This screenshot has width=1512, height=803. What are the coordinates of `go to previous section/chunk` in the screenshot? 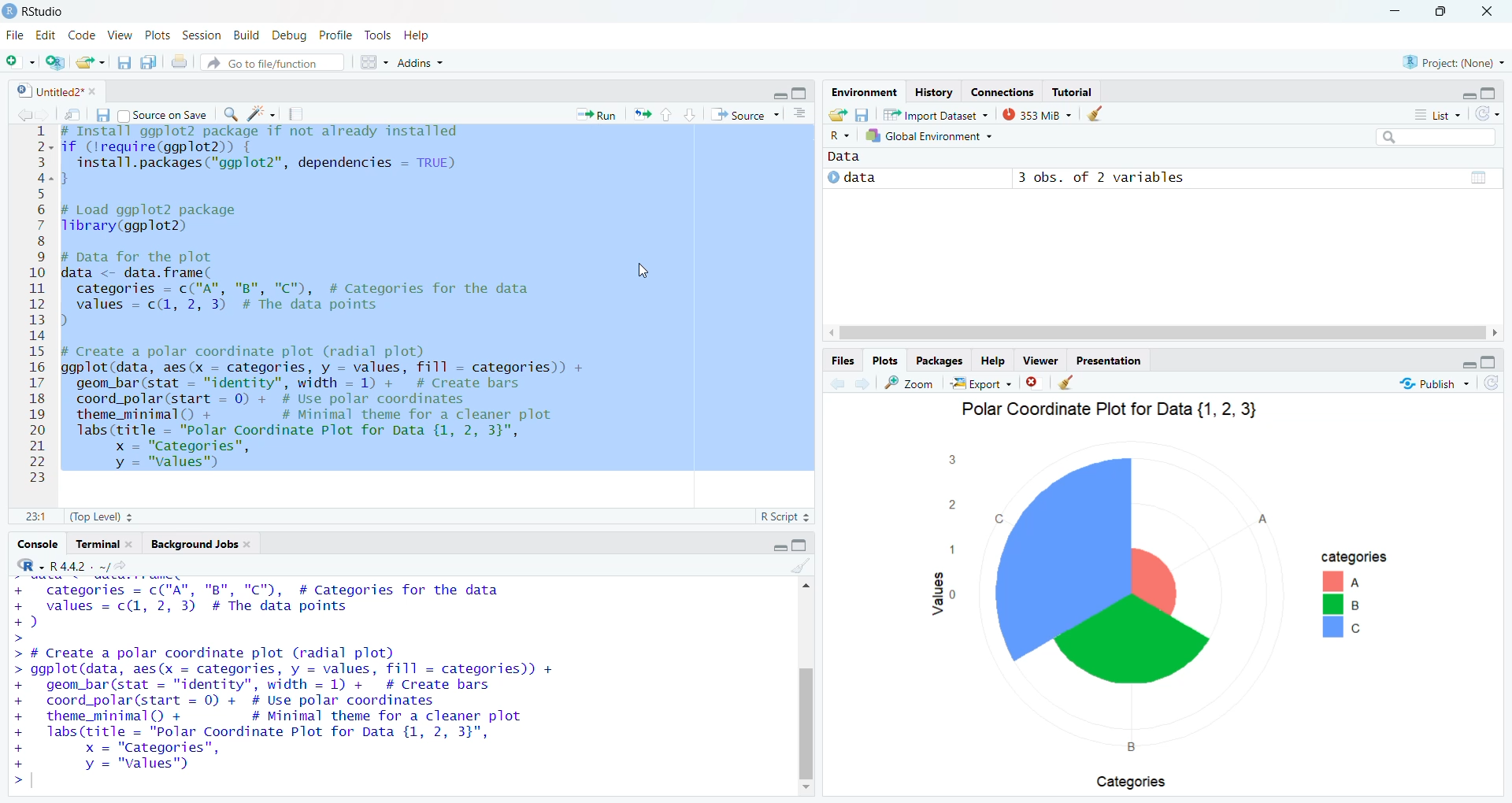 It's located at (669, 115).